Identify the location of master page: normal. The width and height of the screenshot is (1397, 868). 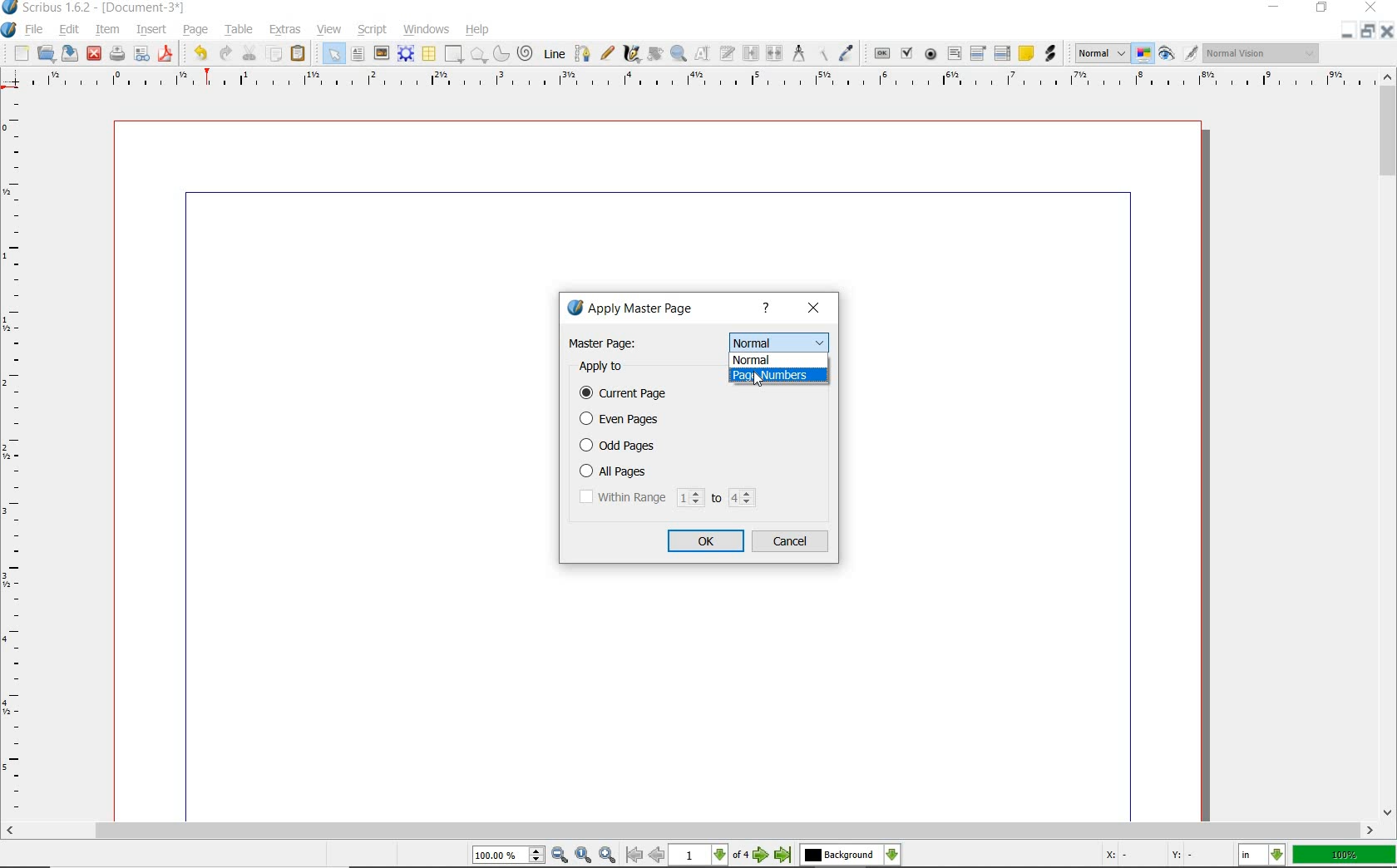
(698, 343).